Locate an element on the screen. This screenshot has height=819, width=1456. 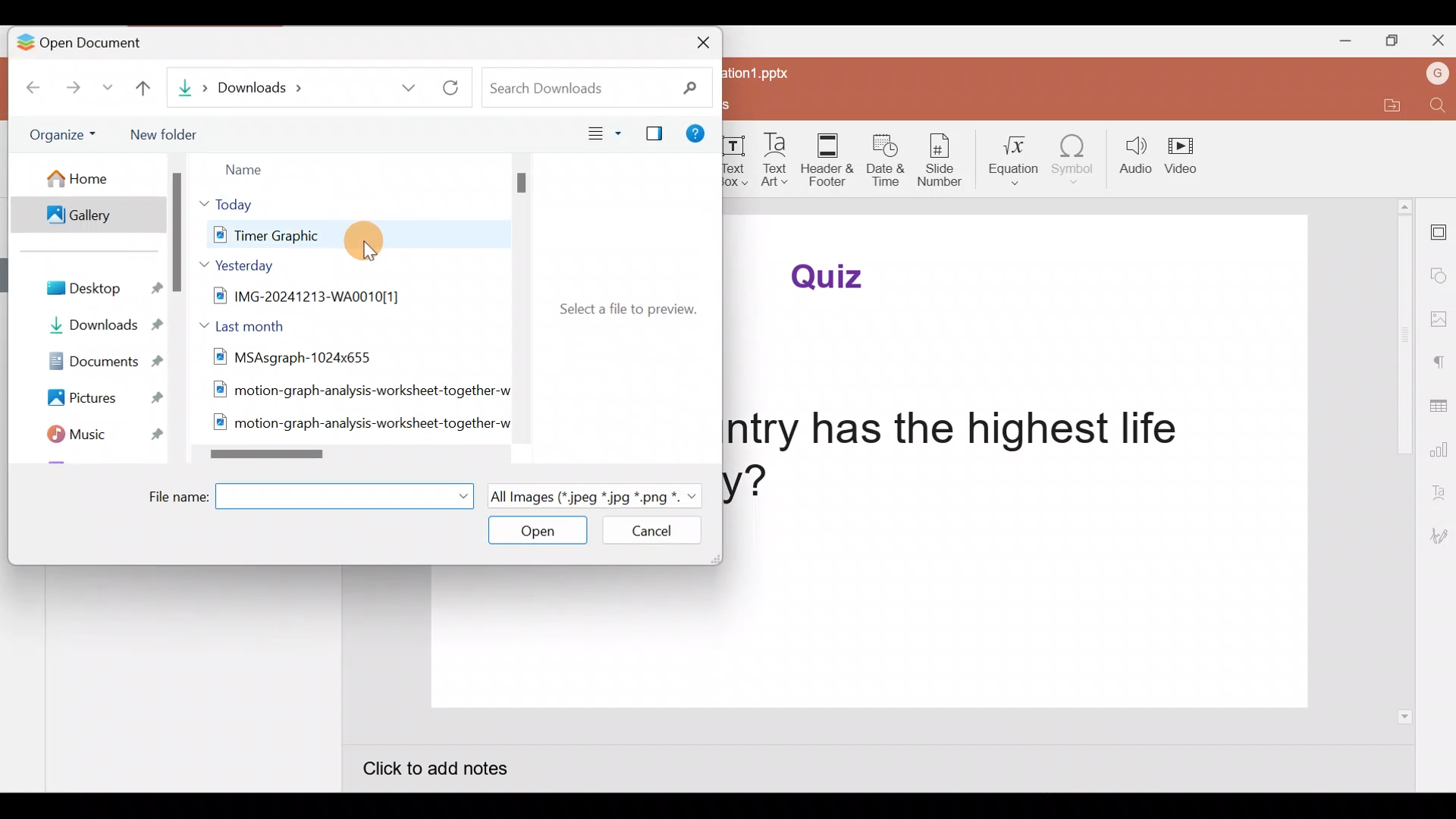
View type is located at coordinates (600, 132).